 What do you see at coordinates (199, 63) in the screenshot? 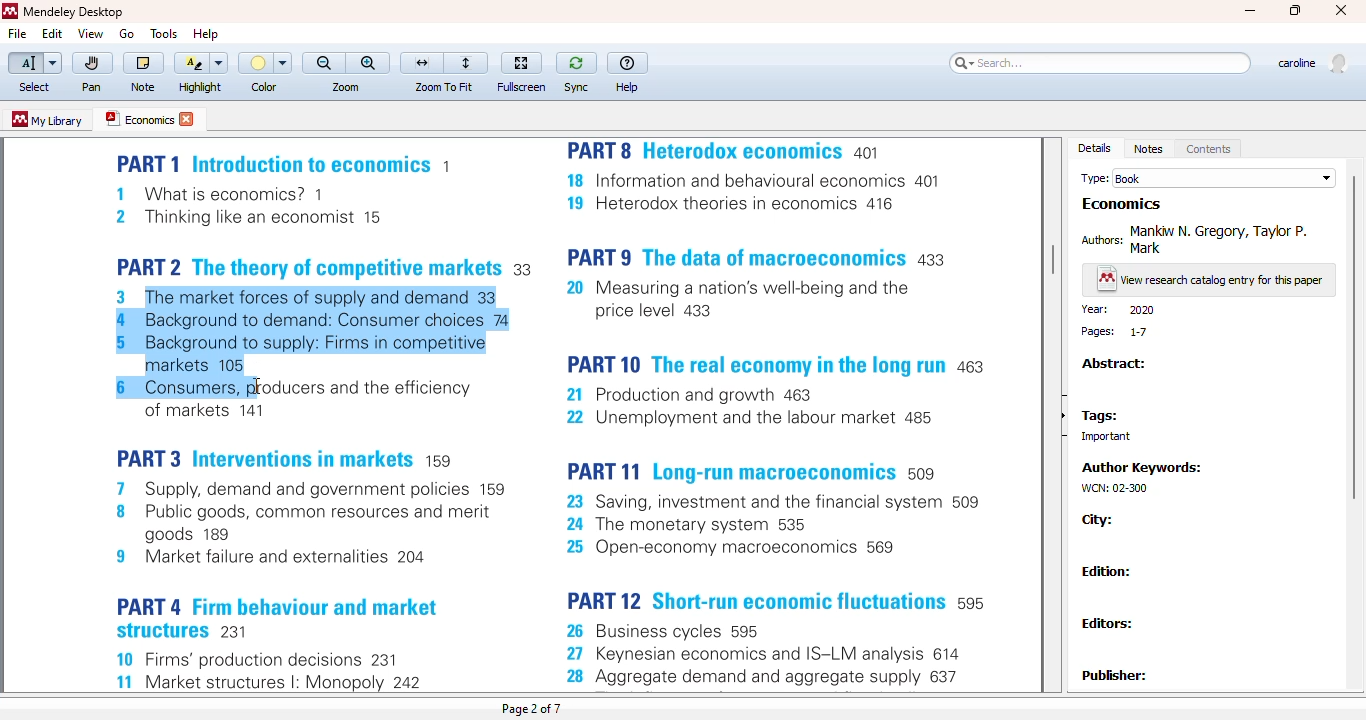
I see `highlight` at bounding box center [199, 63].